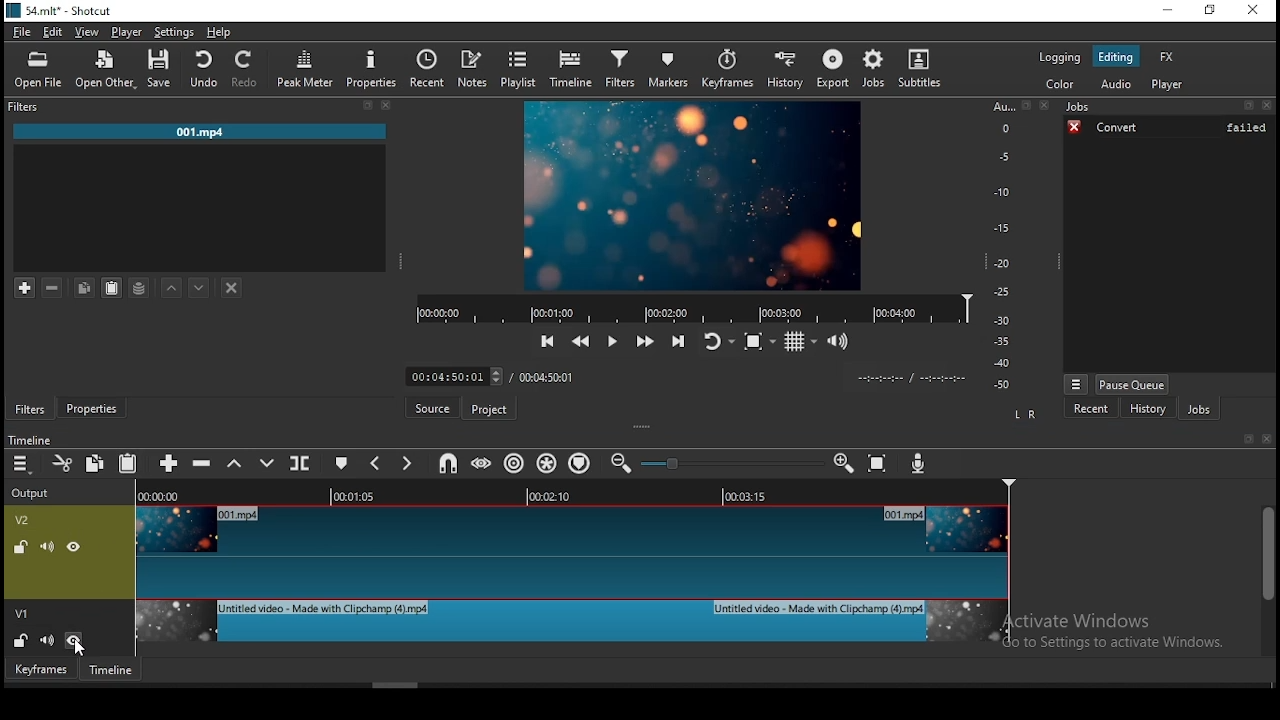 Image resolution: width=1280 pixels, height=720 pixels. I want to click on cut, so click(59, 461).